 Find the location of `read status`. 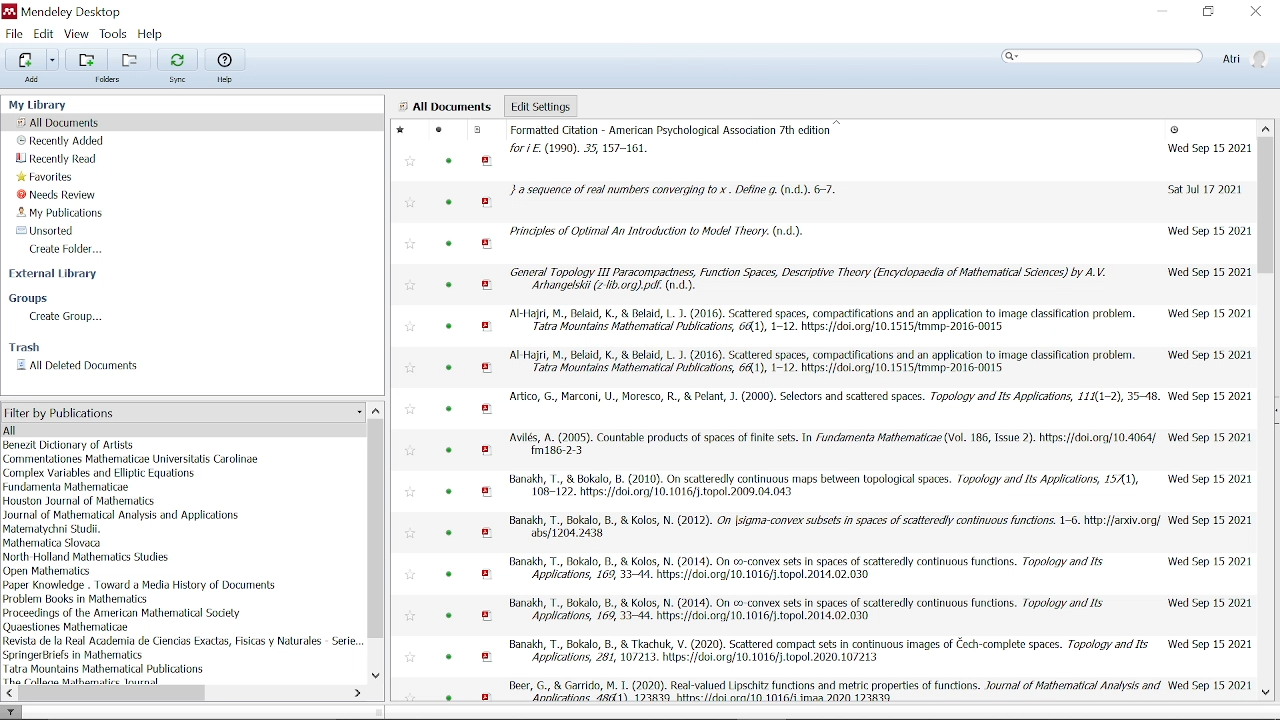

read status is located at coordinates (448, 696).